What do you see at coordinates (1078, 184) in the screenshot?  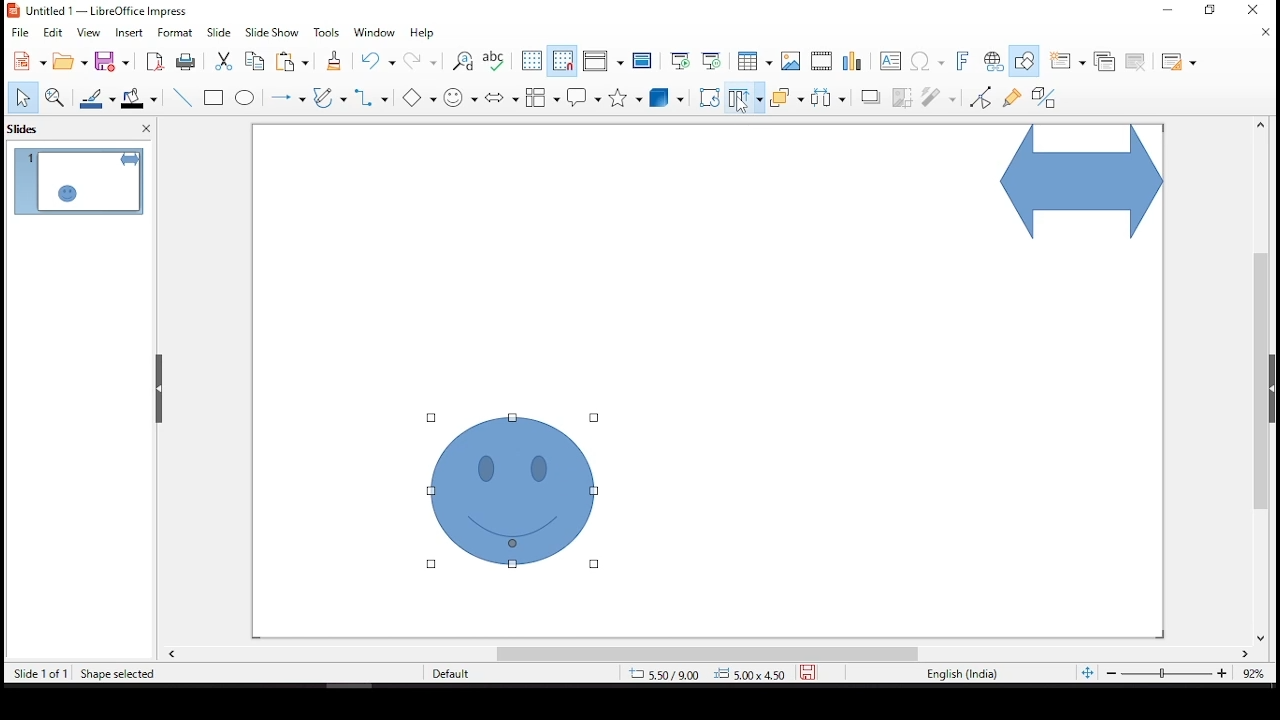 I see `object (selected)` at bounding box center [1078, 184].